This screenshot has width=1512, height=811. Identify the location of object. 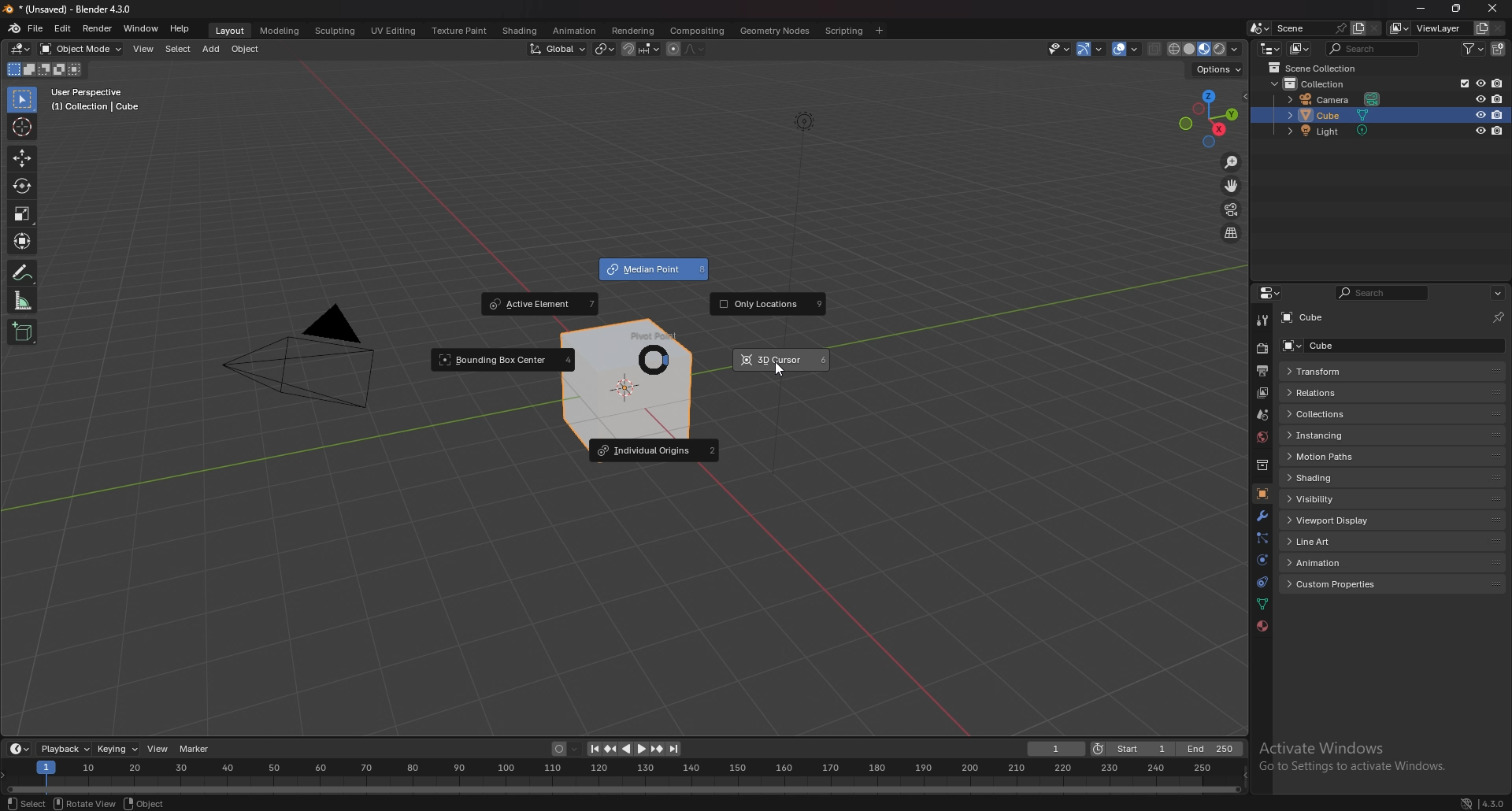
(246, 49).